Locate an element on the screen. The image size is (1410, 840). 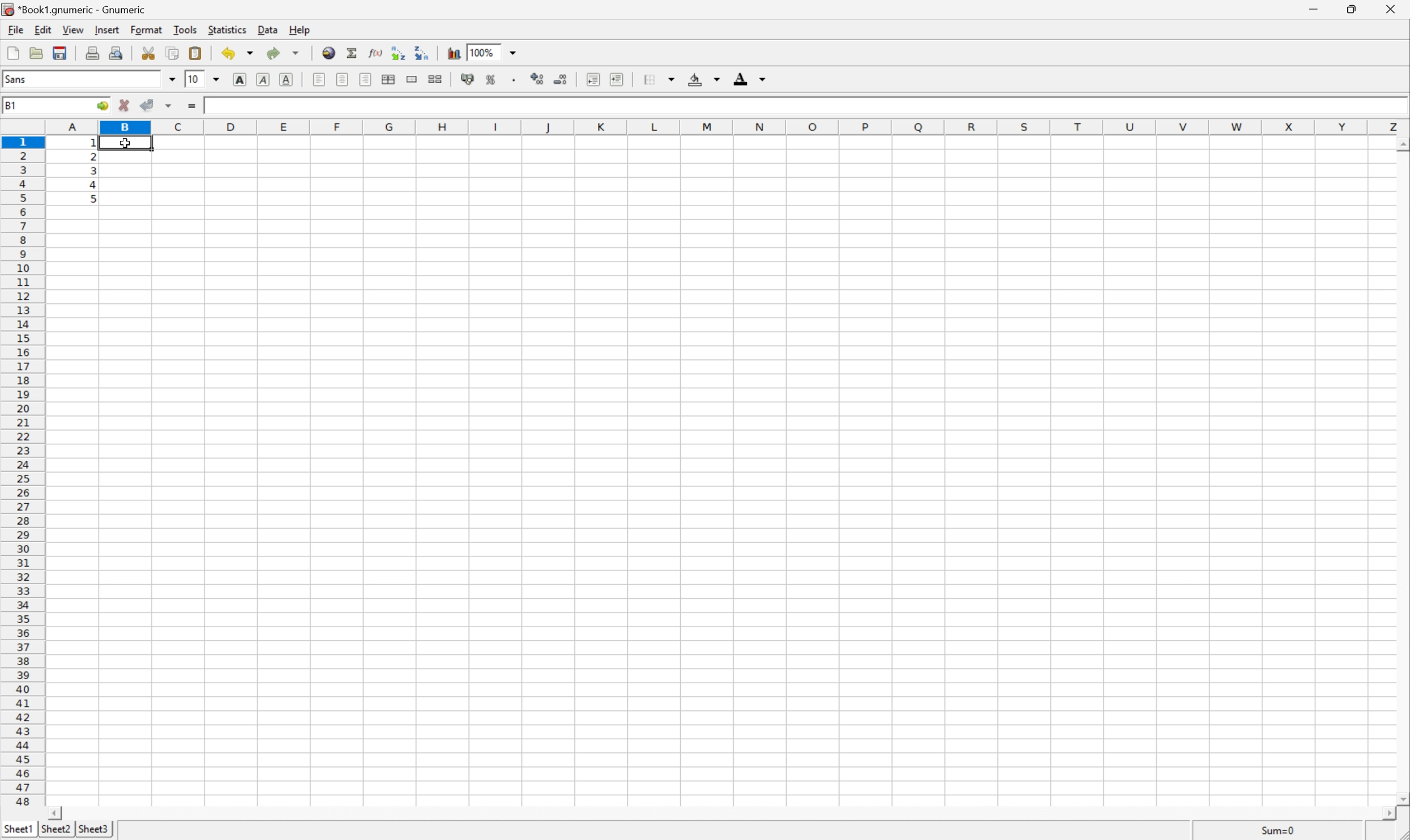
Background is located at coordinates (704, 78).